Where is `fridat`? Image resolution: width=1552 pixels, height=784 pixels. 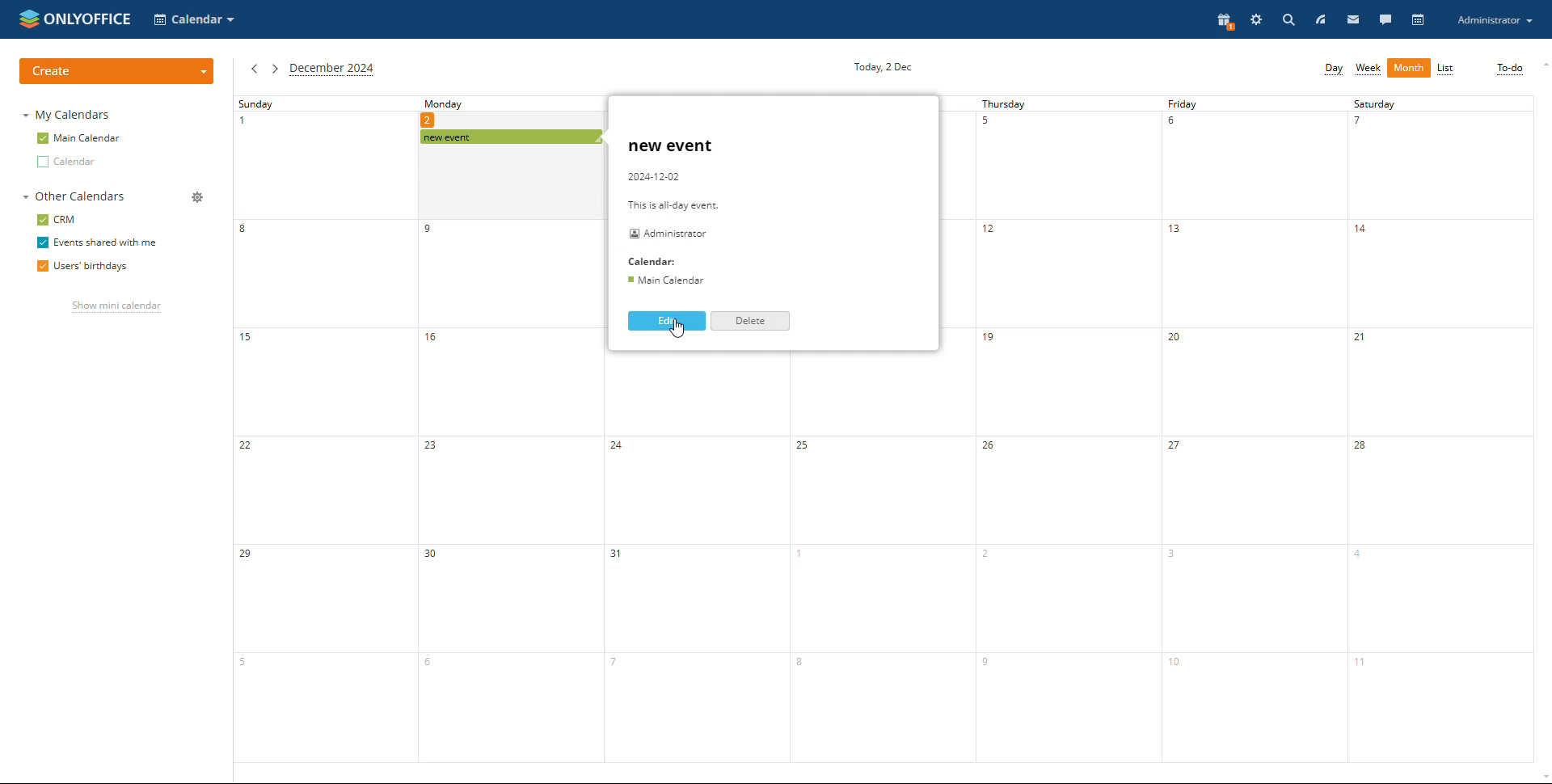 fridat is located at coordinates (1250, 429).